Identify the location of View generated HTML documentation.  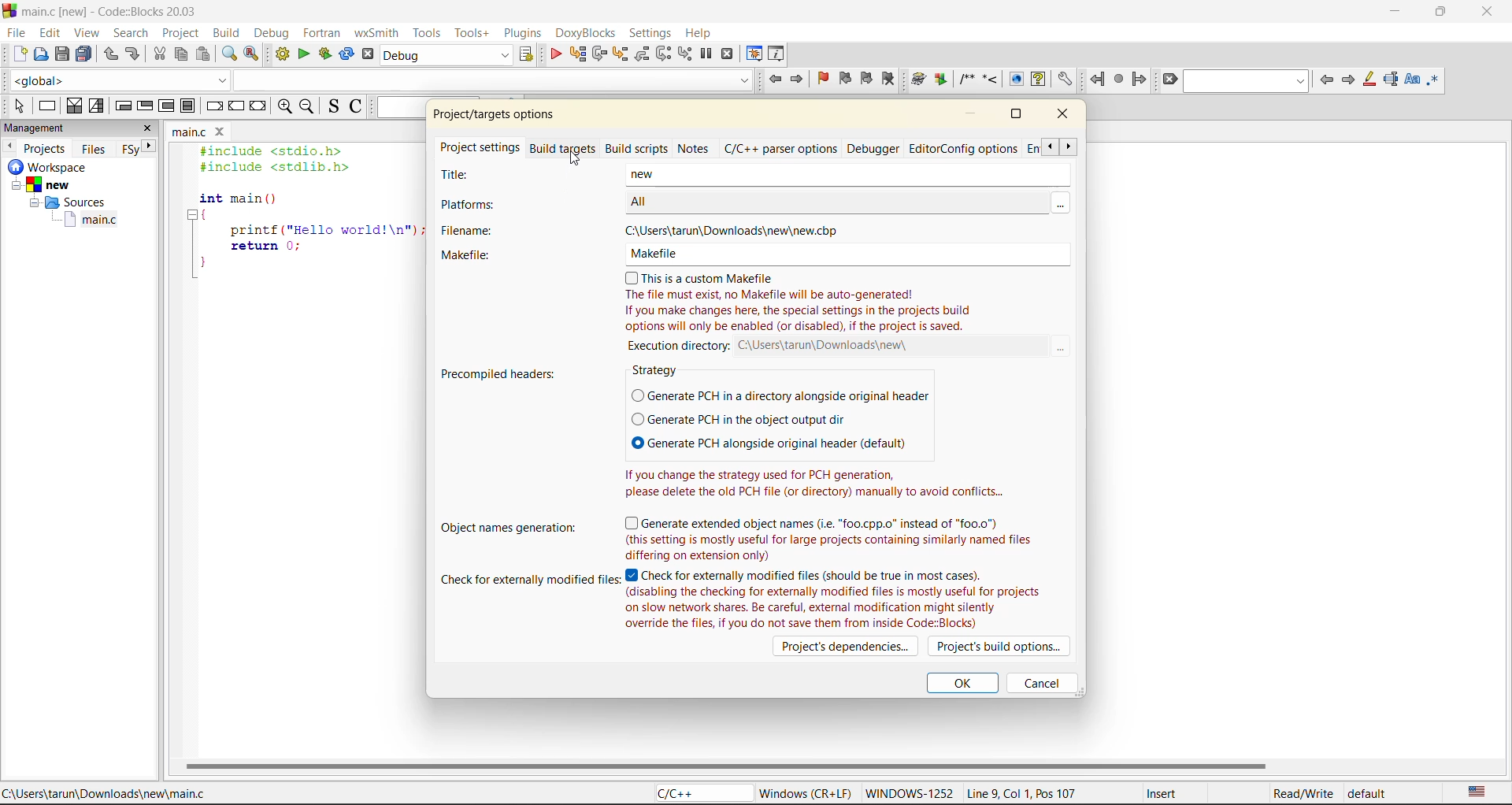
(1016, 79).